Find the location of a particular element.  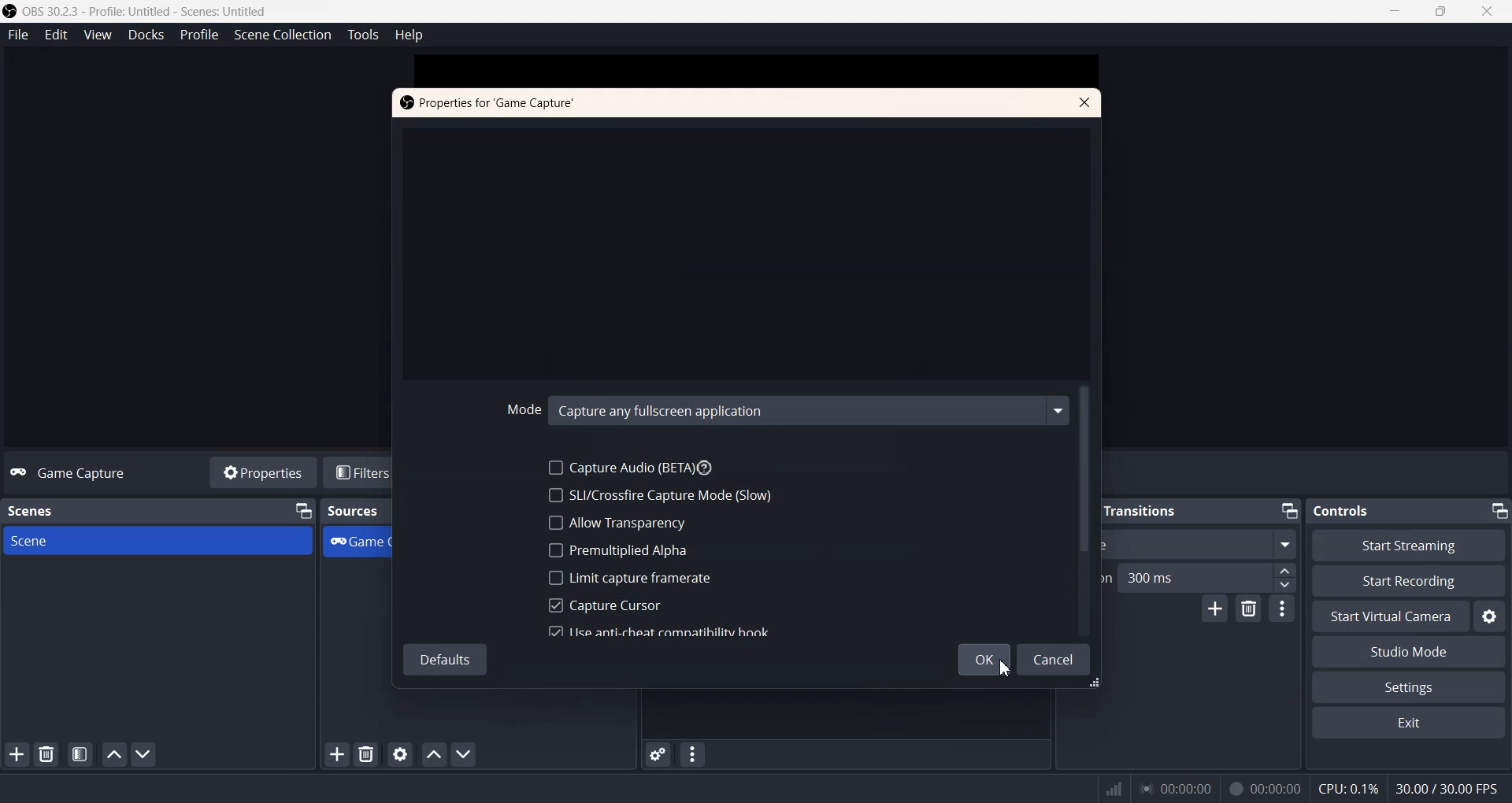

Capture any Fullscreen Application  is located at coordinates (811, 412).